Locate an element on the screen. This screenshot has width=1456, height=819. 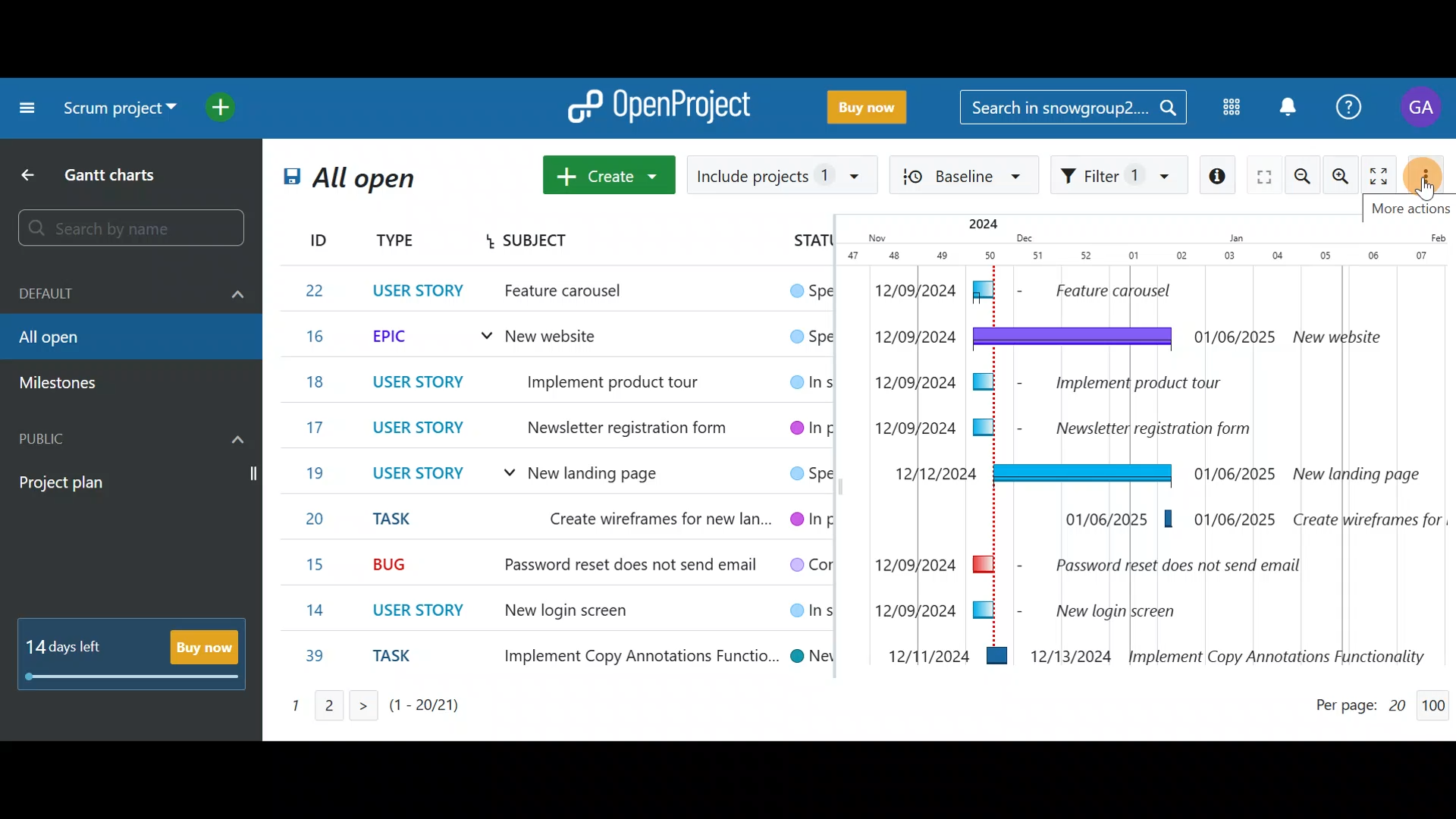
17 is located at coordinates (315, 428).